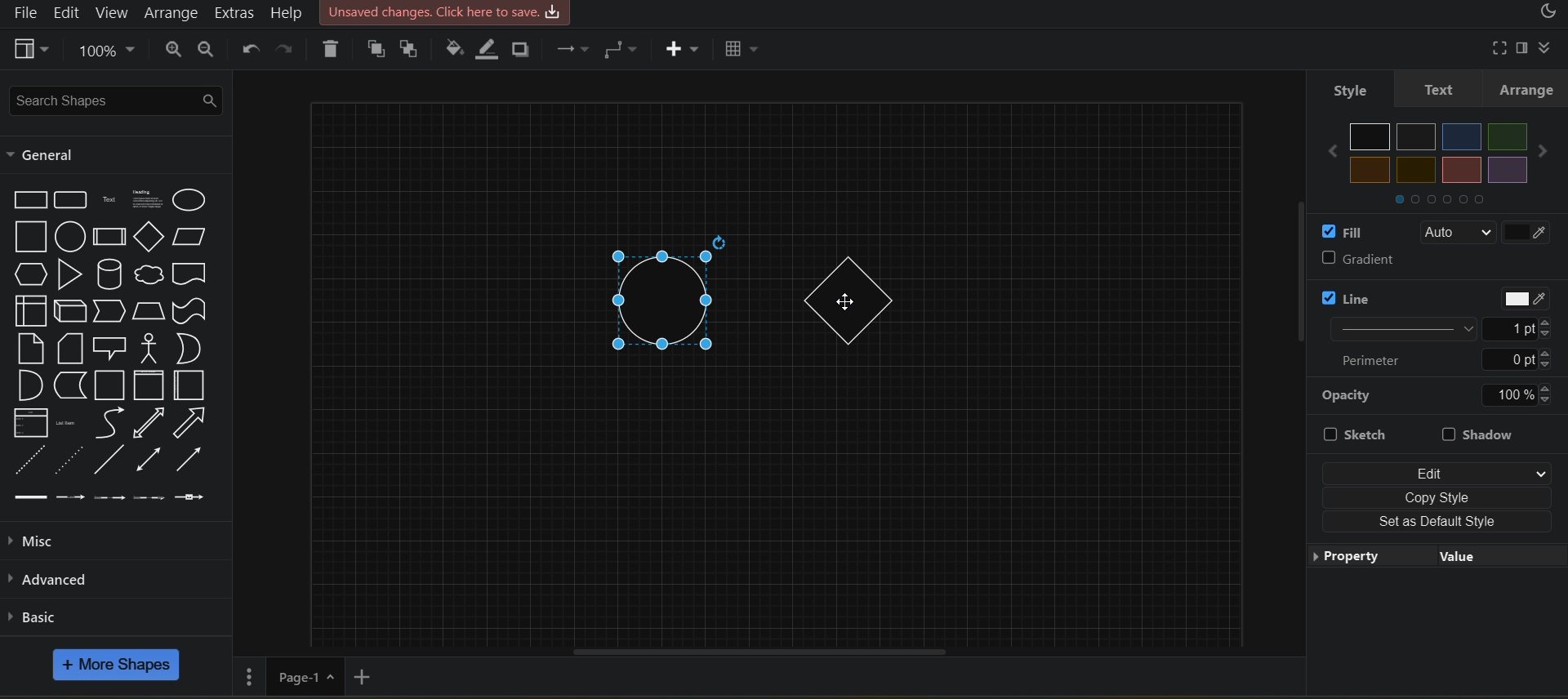 Image resolution: width=1568 pixels, height=699 pixels. What do you see at coordinates (170, 11) in the screenshot?
I see `arrange` at bounding box center [170, 11].